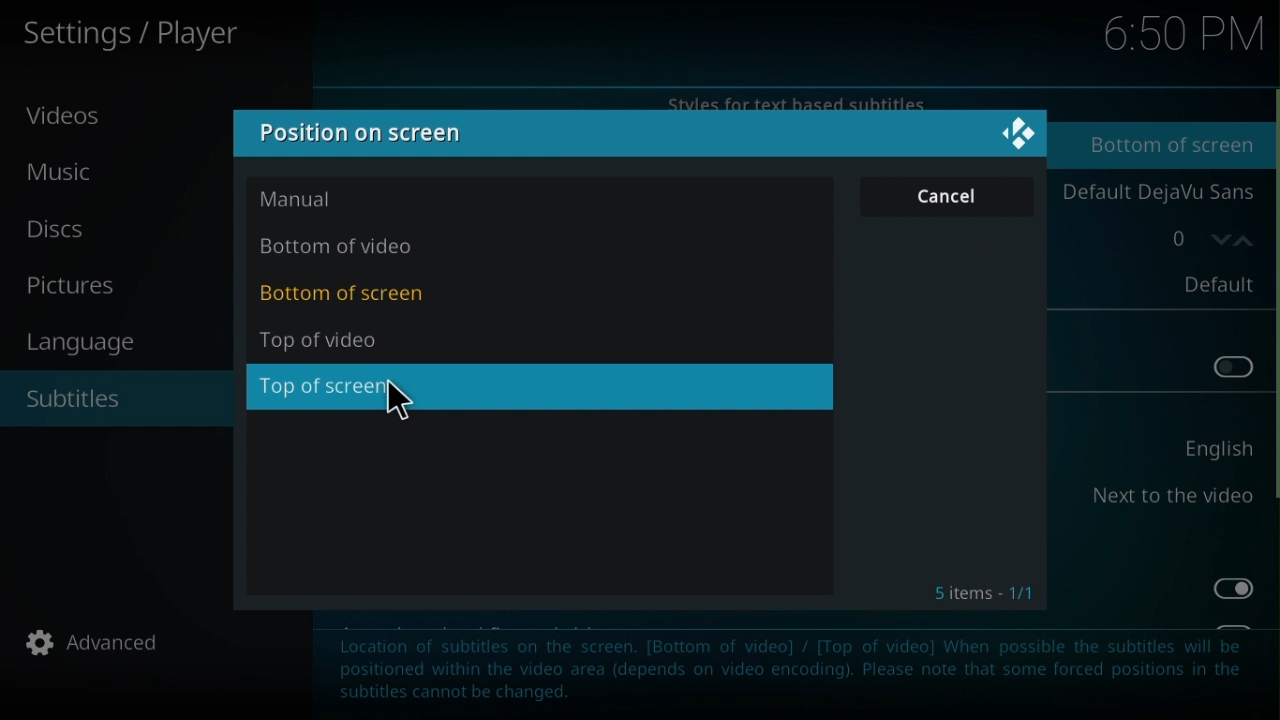 The height and width of the screenshot is (720, 1280). Describe the element at coordinates (342, 247) in the screenshot. I see `Botton of video` at that location.